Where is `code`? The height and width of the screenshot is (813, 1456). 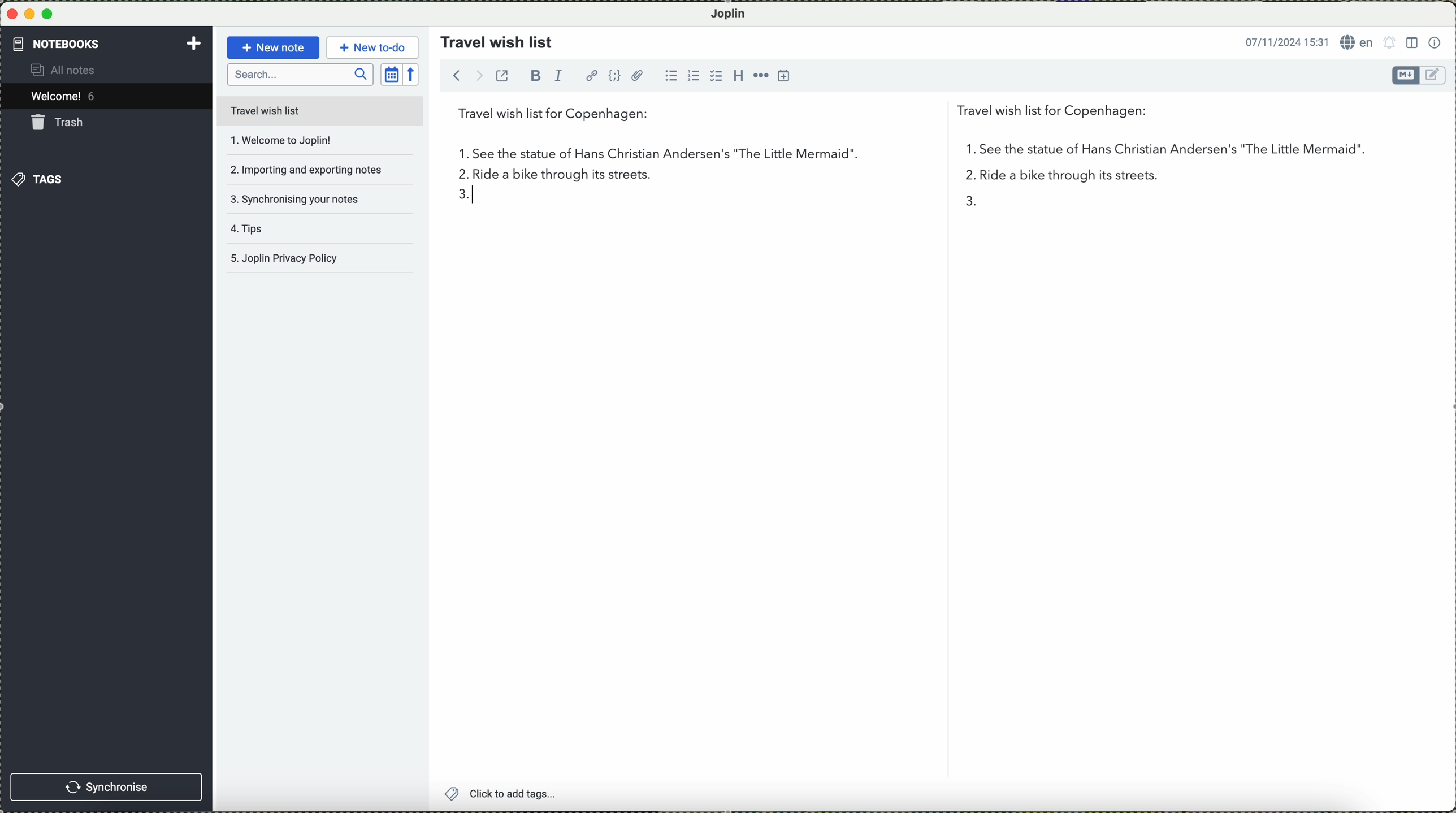 code is located at coordinates (616, 76).